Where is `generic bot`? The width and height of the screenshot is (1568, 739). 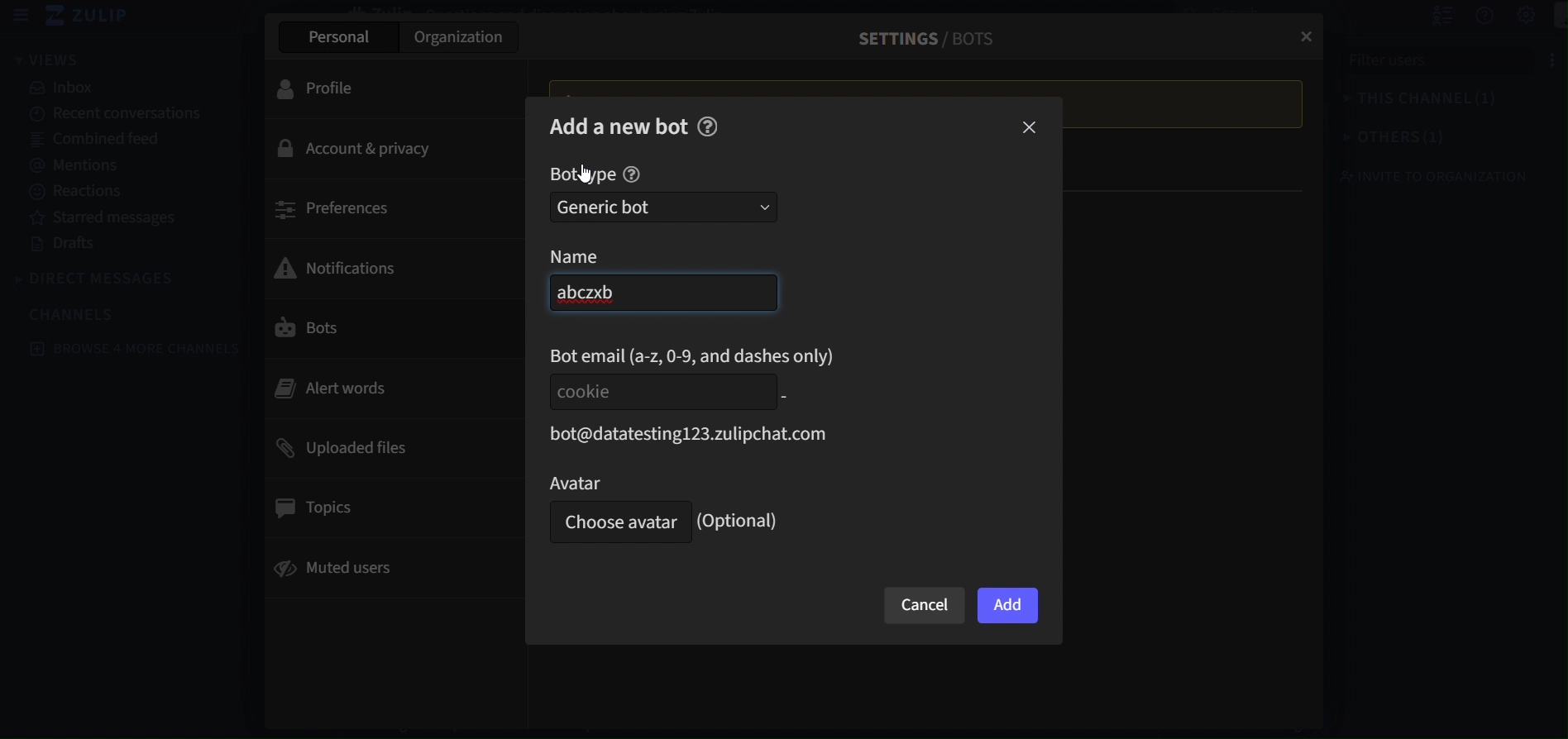
generic bot is located at coordinates (663, 207).